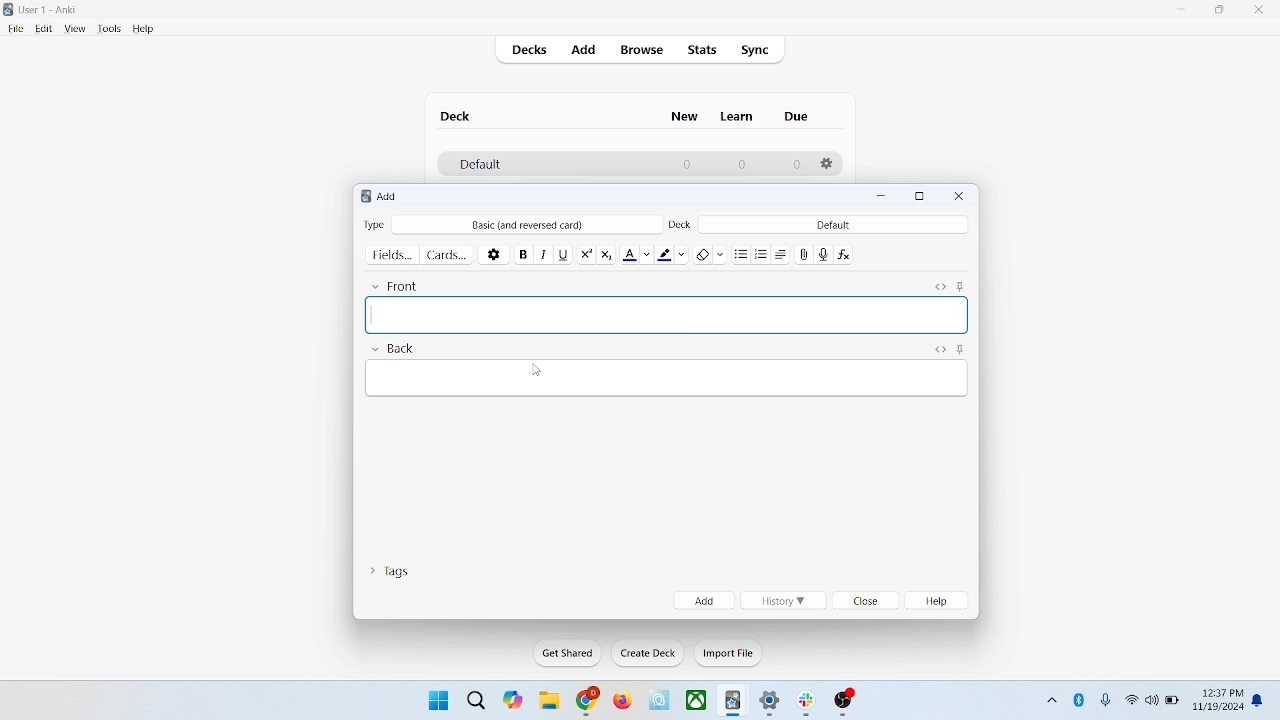 Image resolution: width=1280 pixels, height=720 pixels. What do you see at coordinates (569, 654) in the screenshot?
I see `get shared` at bounding box center [569, 654].